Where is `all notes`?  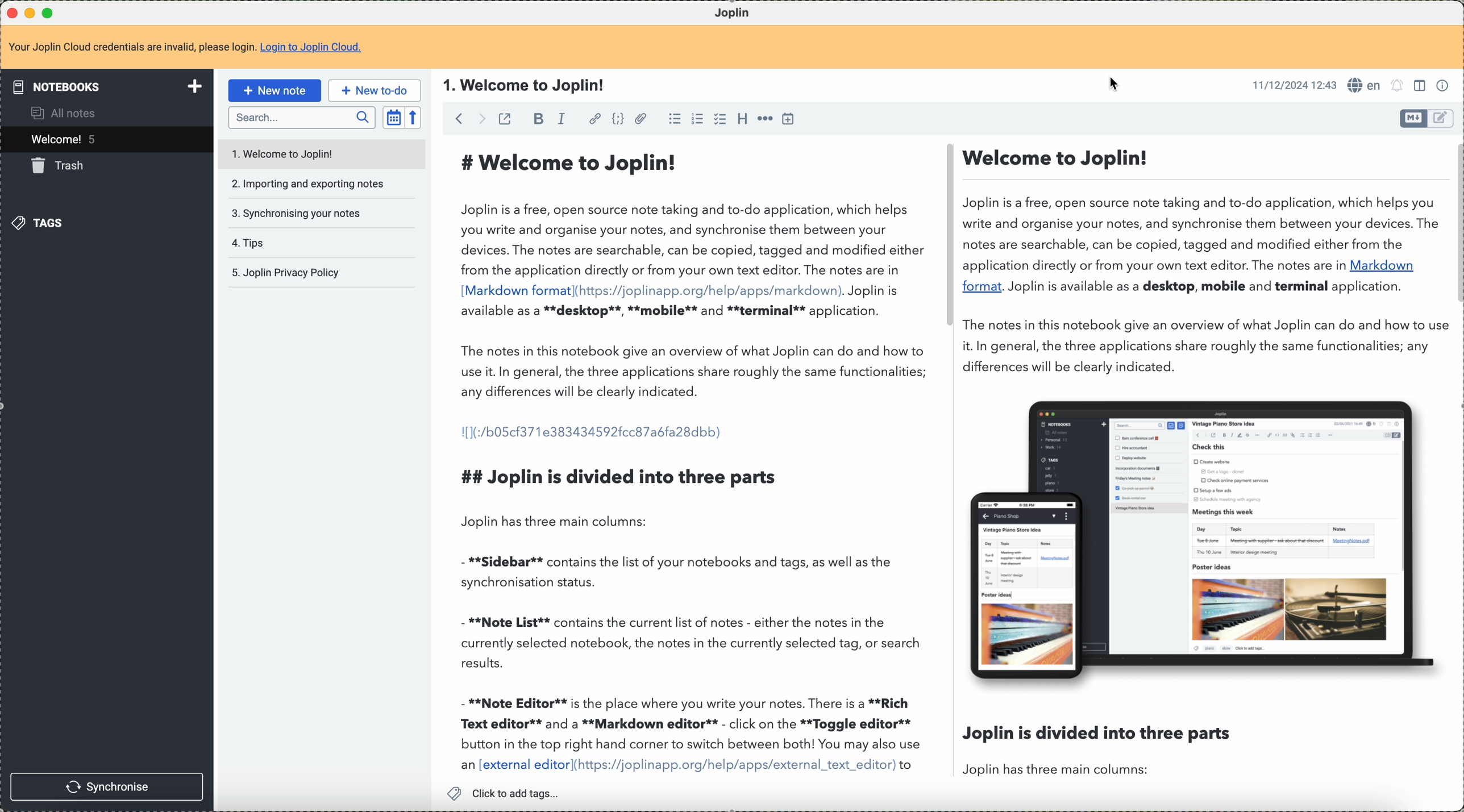
all notes is located at coordinates (62, 115).